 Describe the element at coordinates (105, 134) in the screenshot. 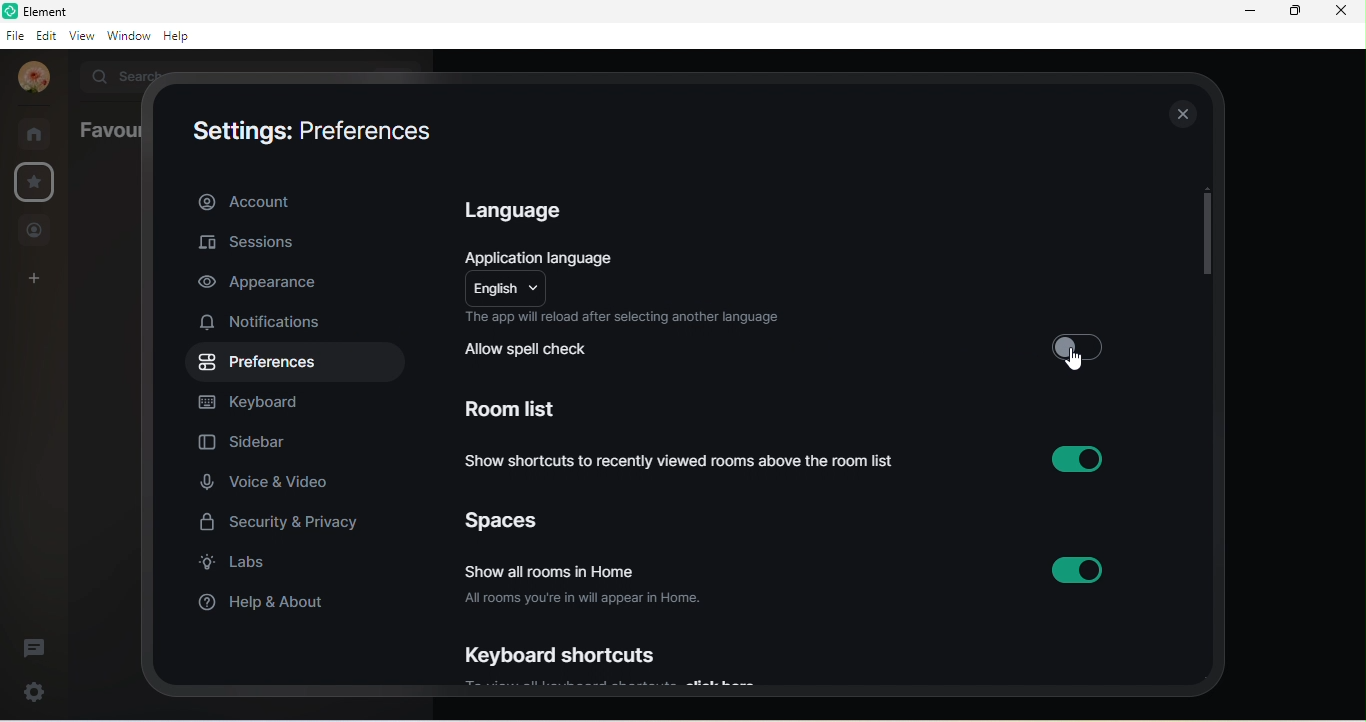

I see `favourites` at that location.